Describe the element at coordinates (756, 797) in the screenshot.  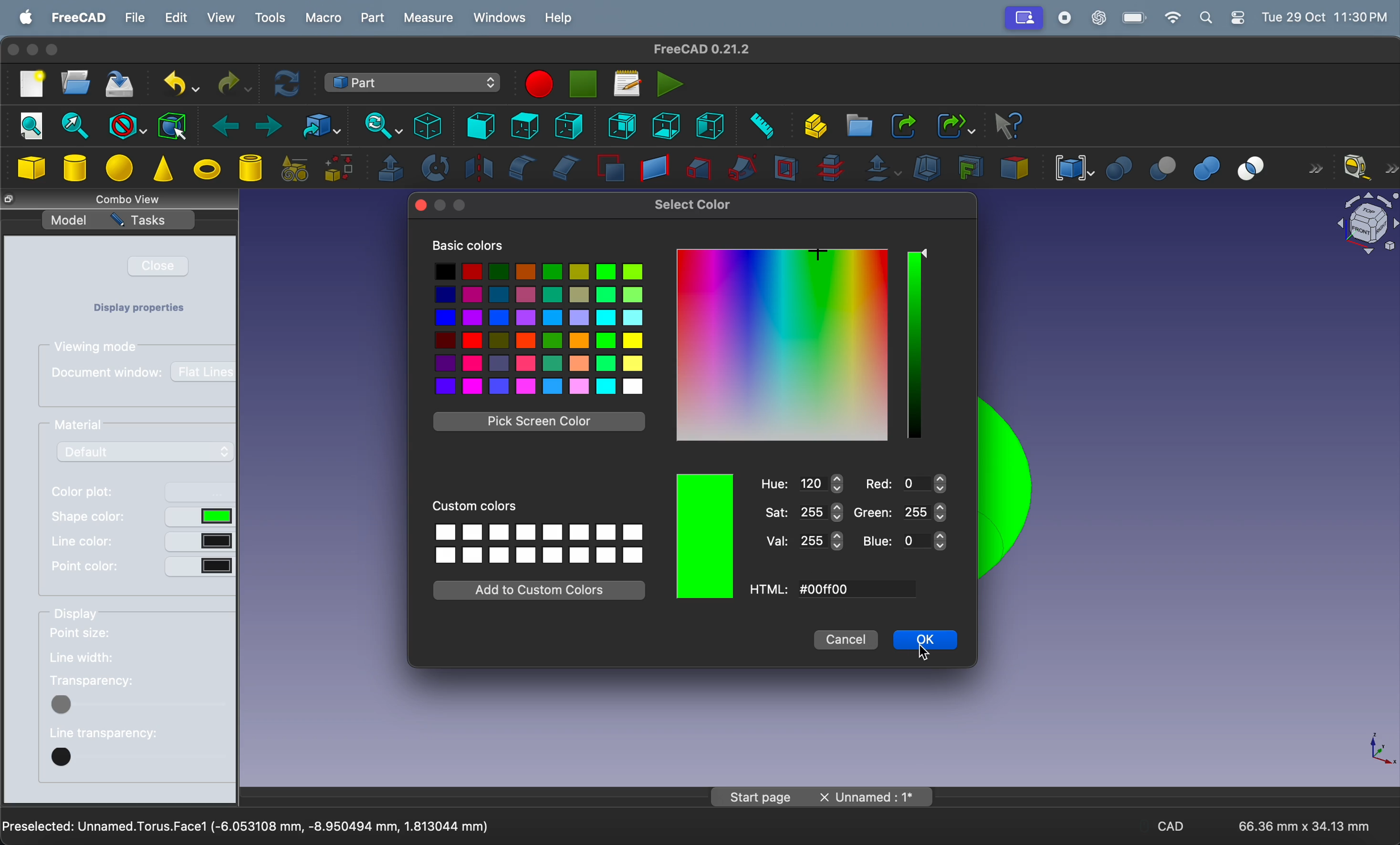
I see `Start page` at that location.